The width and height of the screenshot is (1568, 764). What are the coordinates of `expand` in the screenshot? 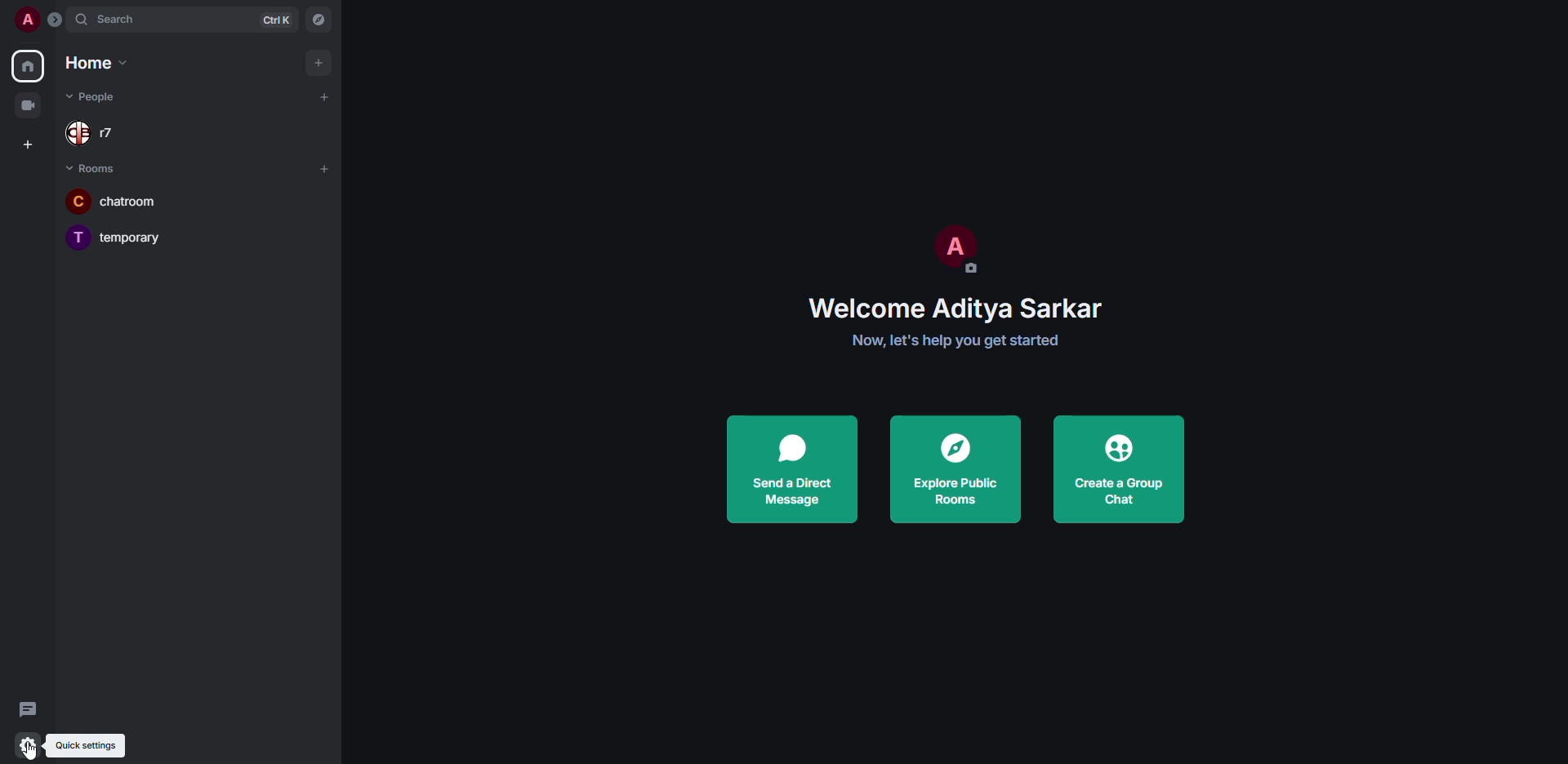 It's located at (57, 19).